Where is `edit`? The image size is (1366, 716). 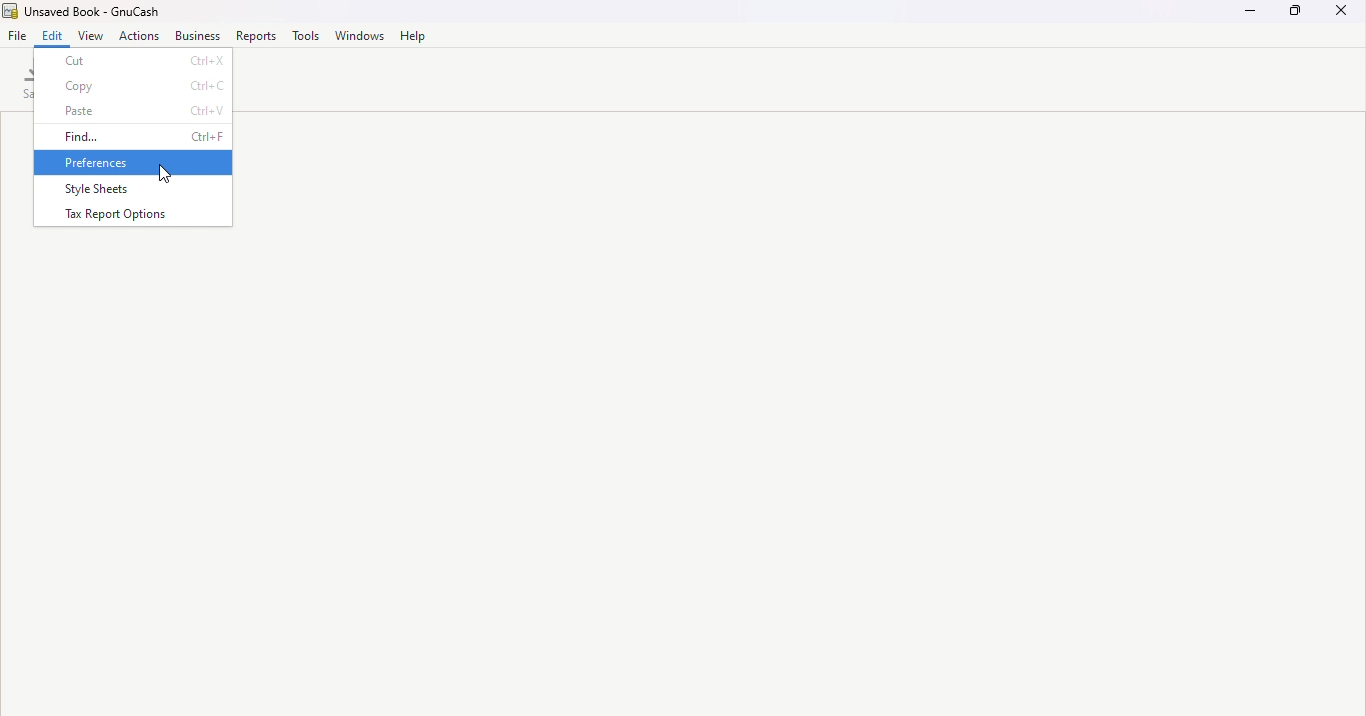
edit is located at coordinates (54, 35).